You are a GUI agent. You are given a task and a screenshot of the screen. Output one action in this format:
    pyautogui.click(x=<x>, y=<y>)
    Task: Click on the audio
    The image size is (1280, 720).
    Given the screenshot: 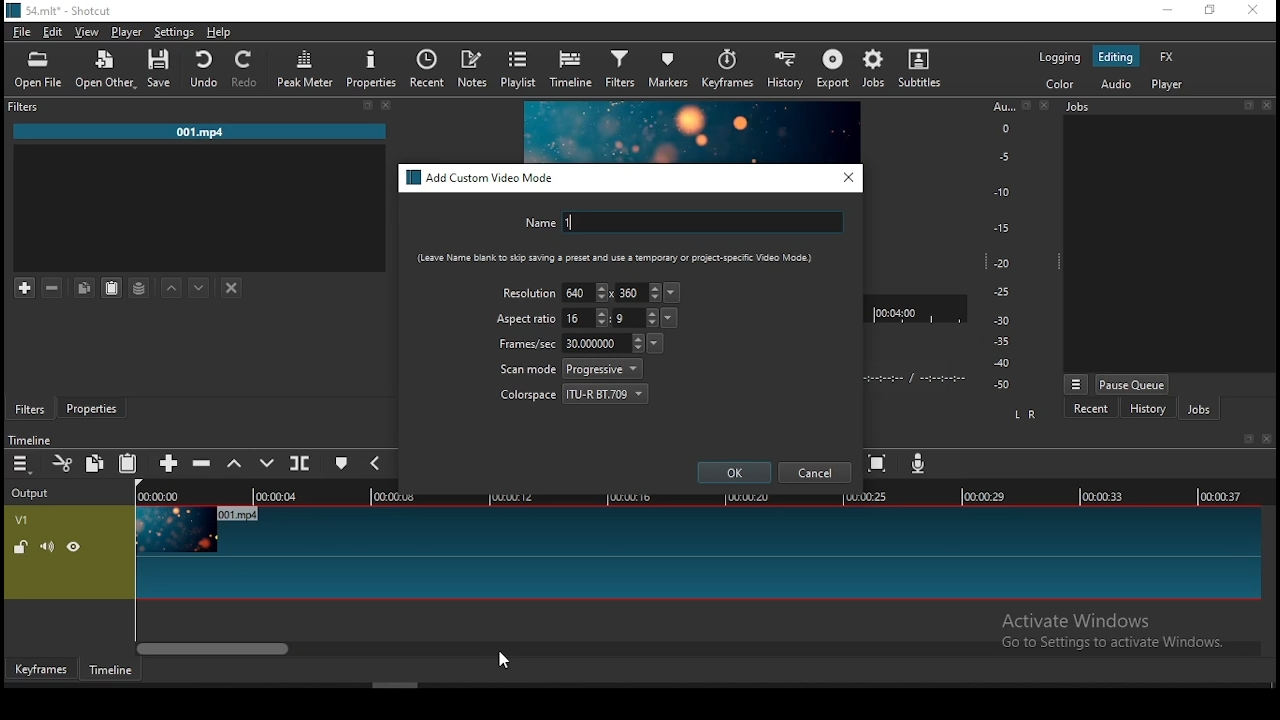 What is the action you would take?
    pyautogui.click(x=1115, y=83)
    